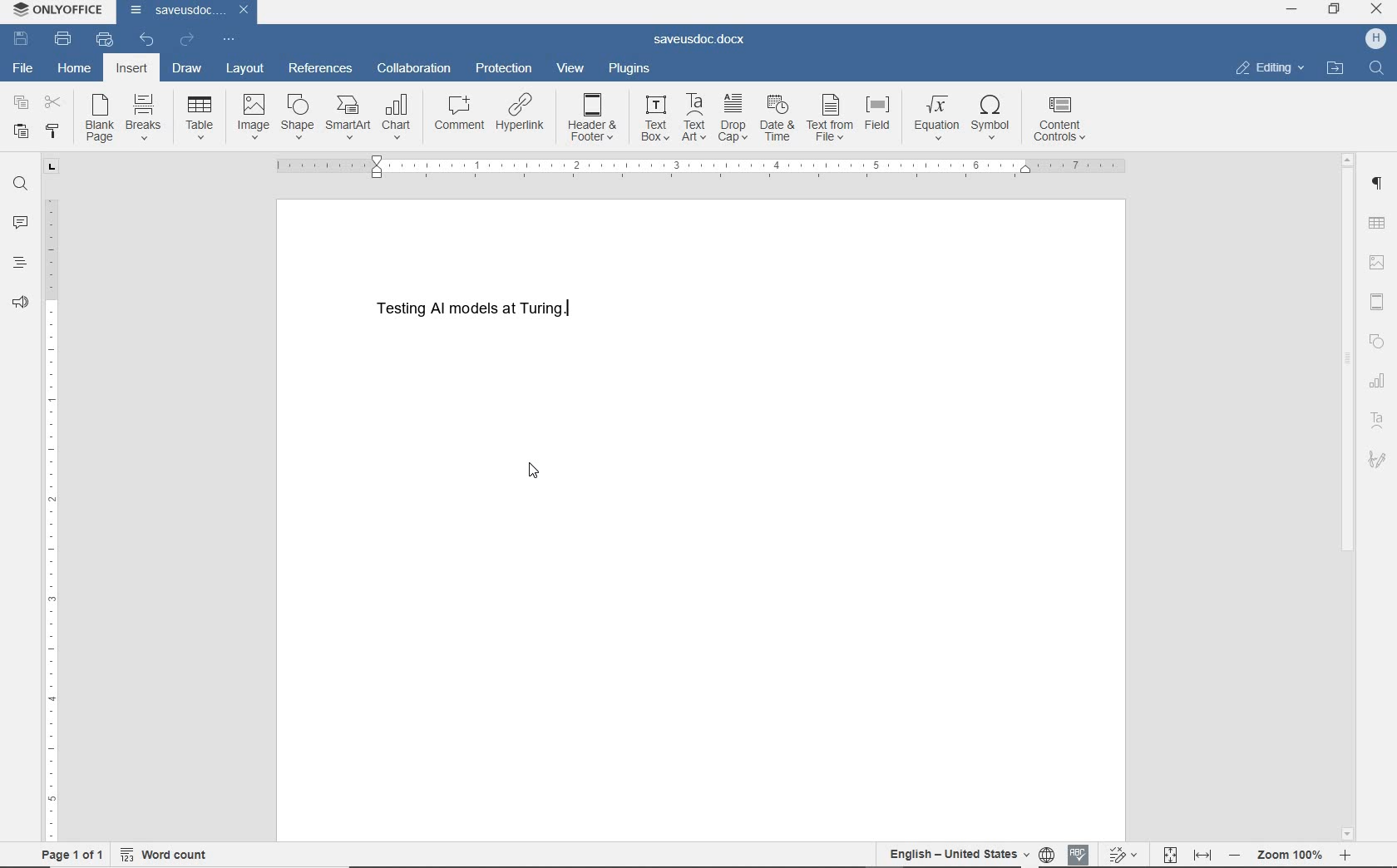 This screenshot has height=868, width=1397. Describe the element at coordinates (1380, 262) in the screenshot. I see `image` at that location.